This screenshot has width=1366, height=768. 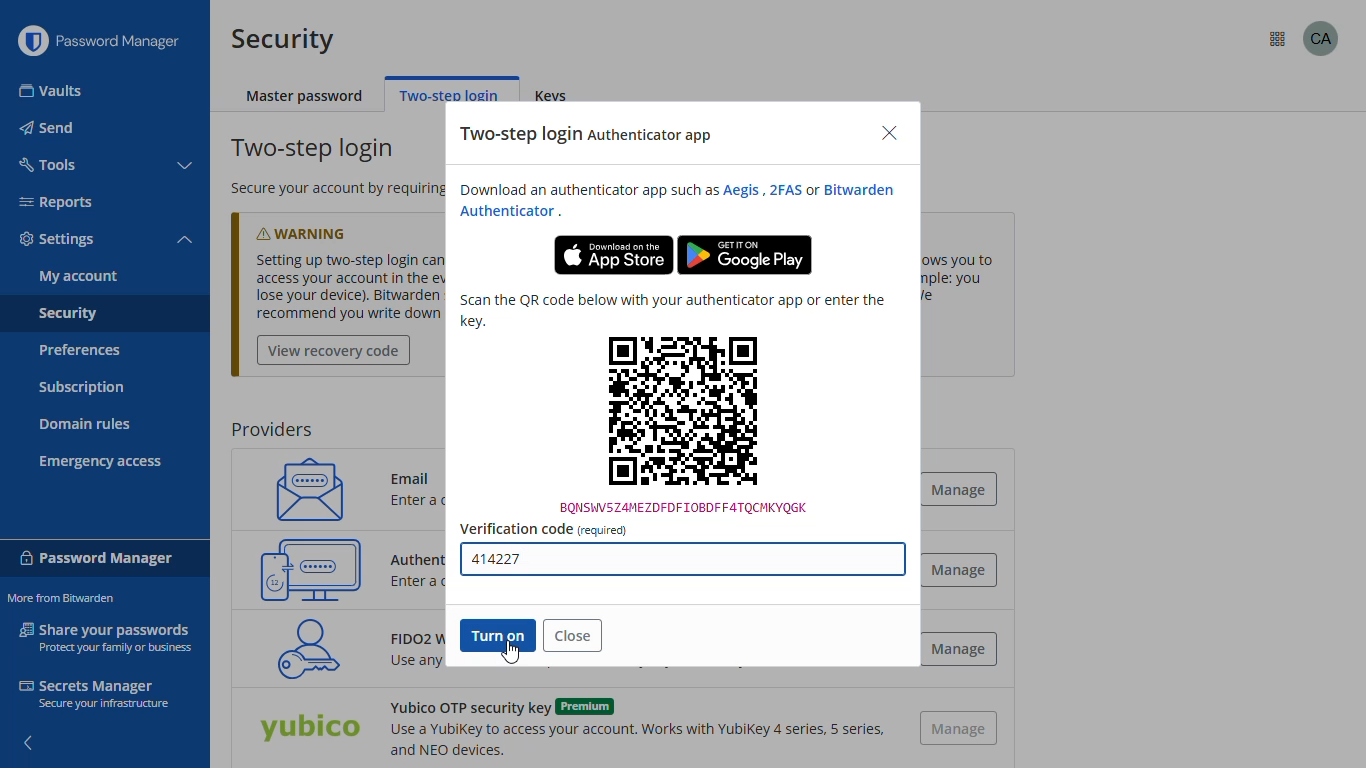 I want to click on Yubico OTP security key (Premium)Use a YubiKey to access your account. Works with Yubikey 4 series, 5 series,and NEO devices., so click(x=634, y=728).